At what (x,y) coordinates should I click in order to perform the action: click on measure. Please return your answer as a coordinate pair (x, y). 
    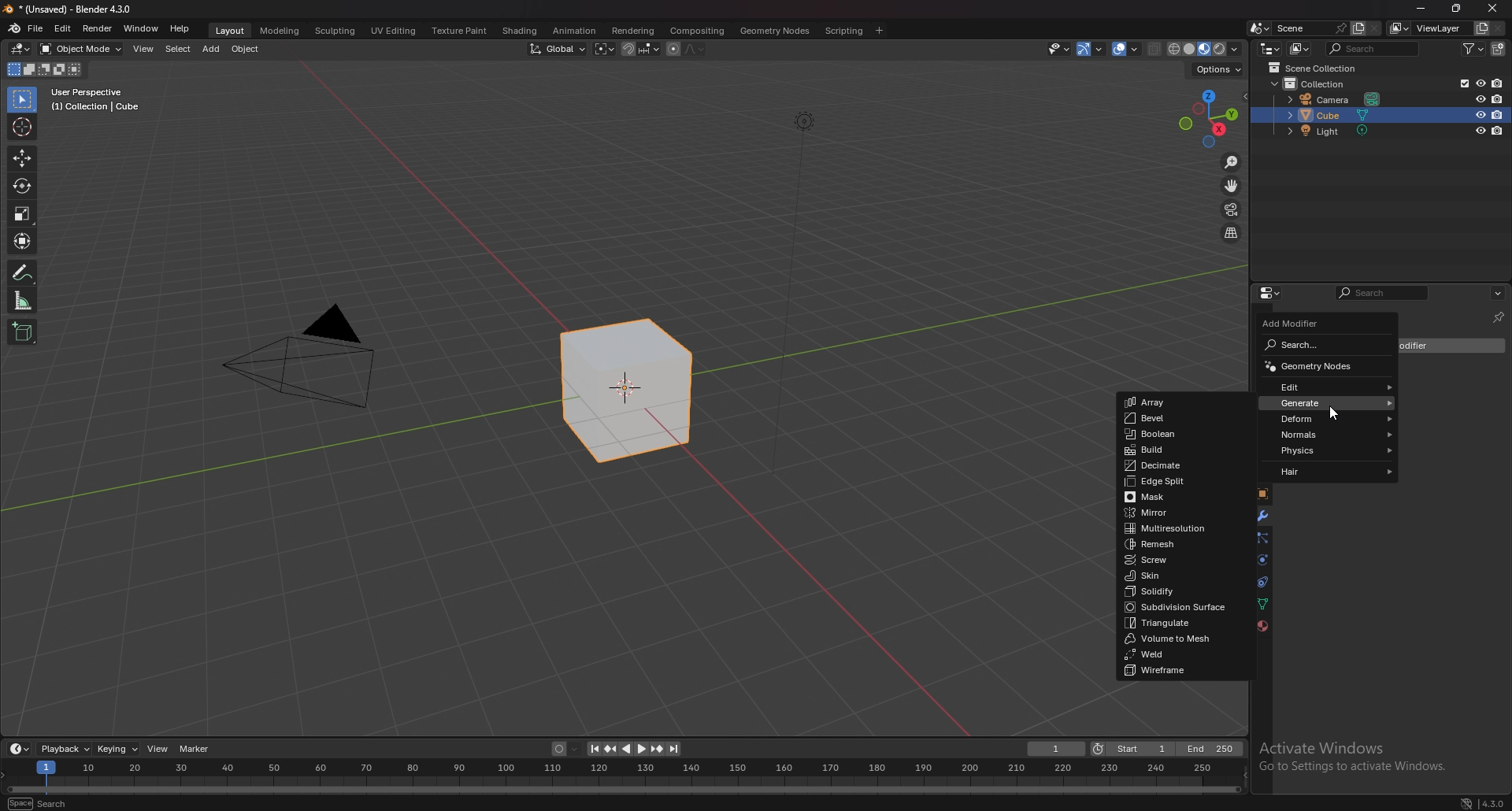
    Looking at the image, I should click on (24, 301).